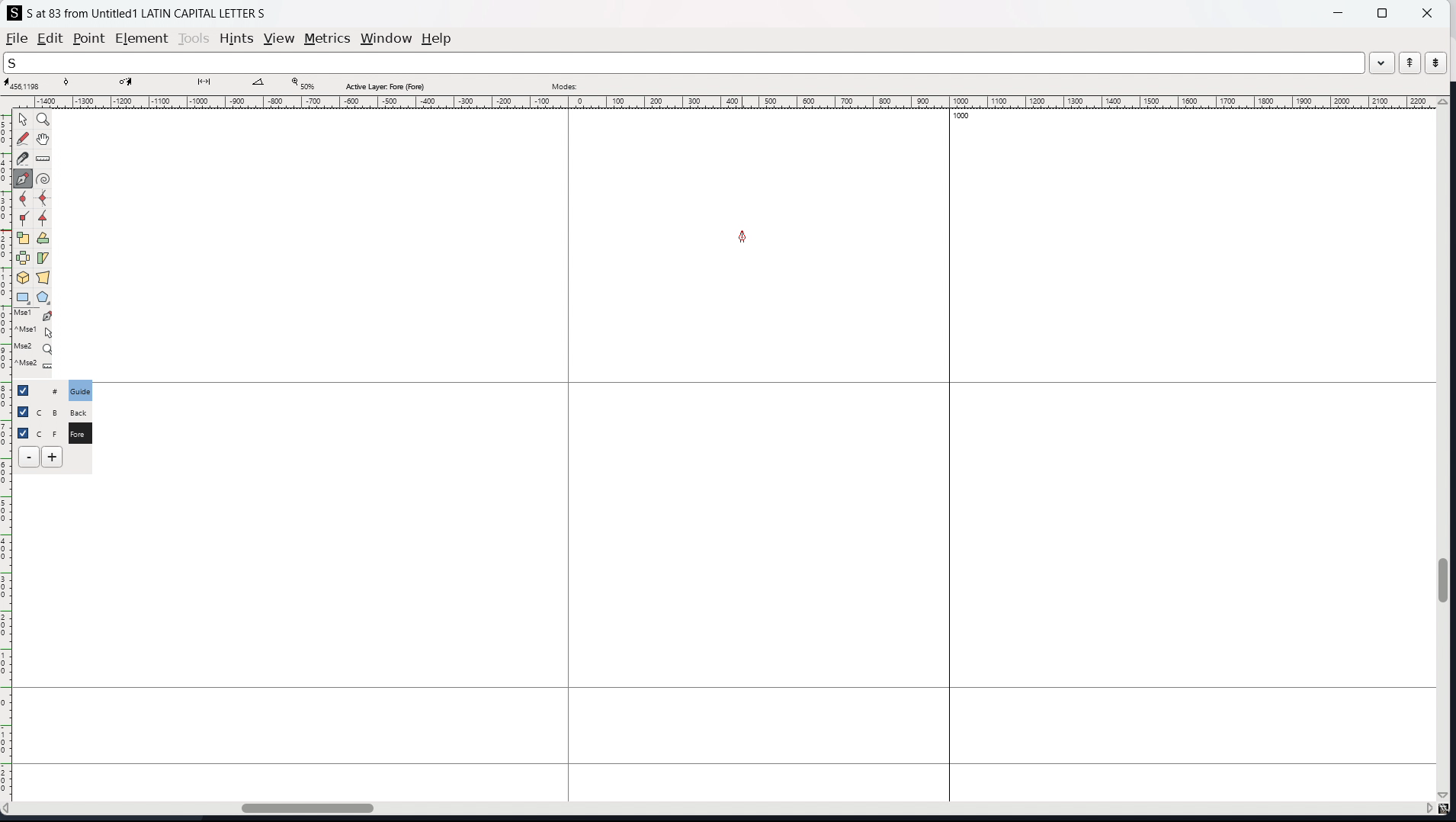  What do you see at coordinates (43, 259) in the screenshot?
I see `skew selection` at bounding box center [43, 259].